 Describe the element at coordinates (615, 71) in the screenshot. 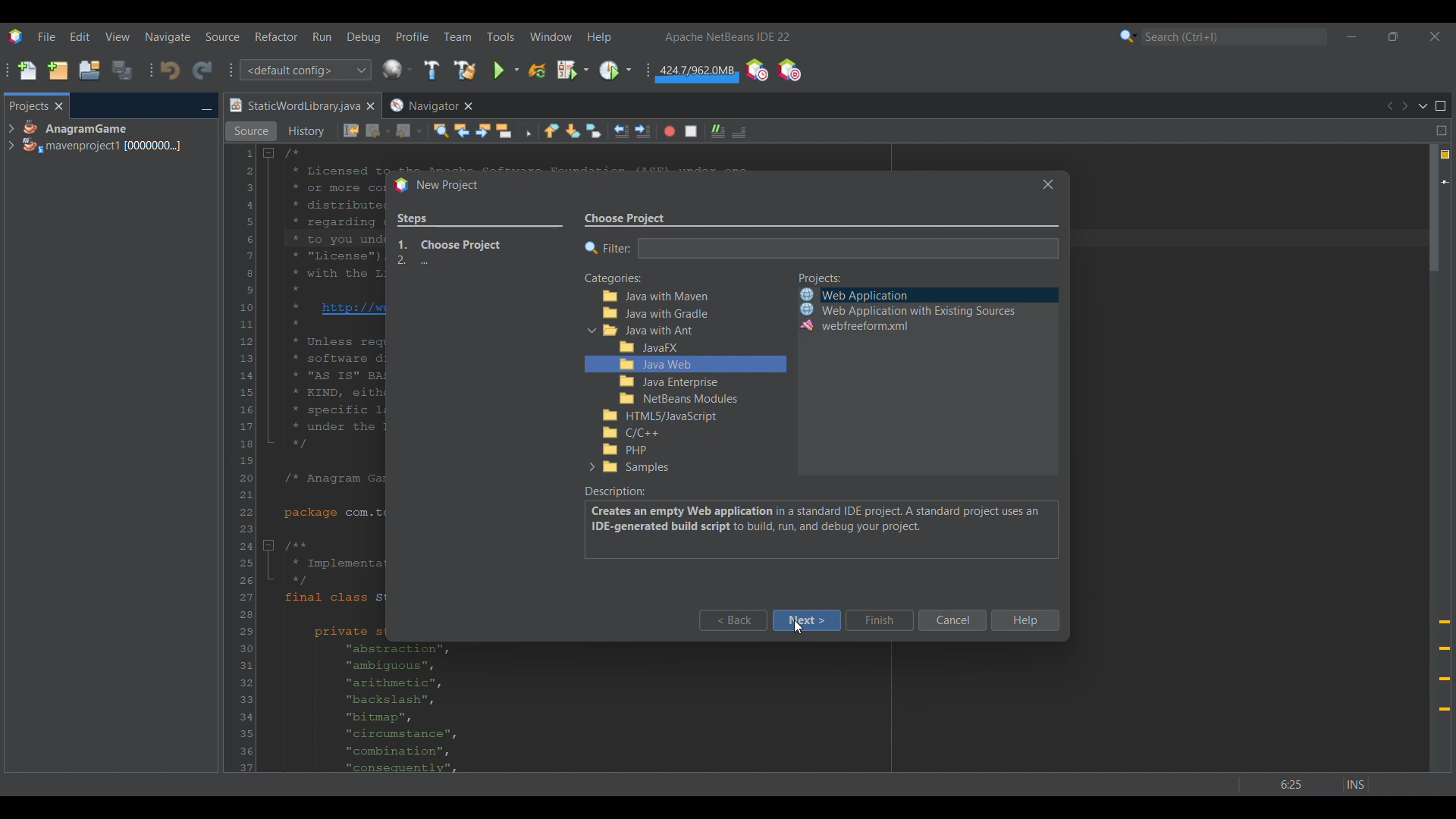

I see `Profile main project options` at that location.